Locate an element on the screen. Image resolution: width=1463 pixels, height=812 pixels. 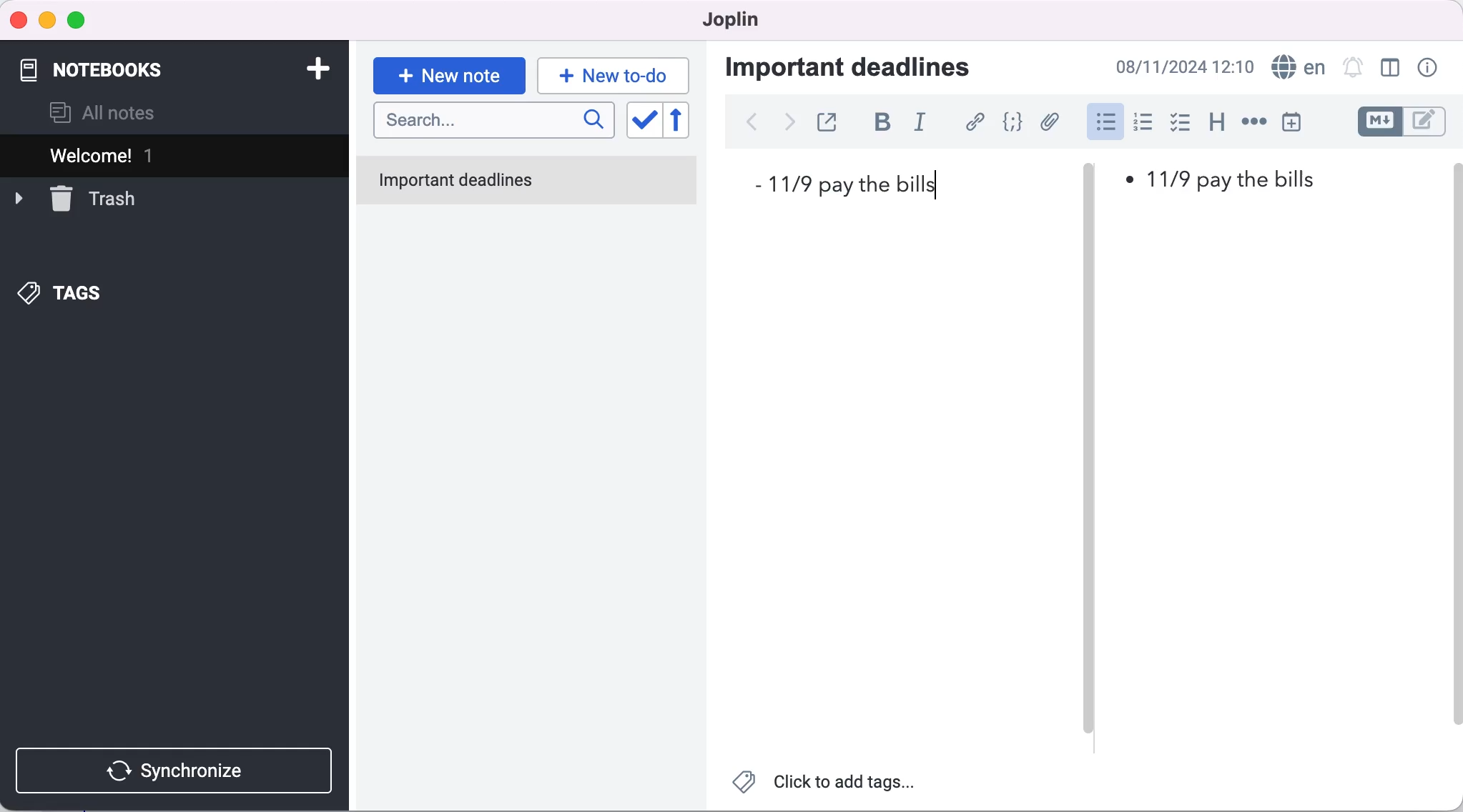
joplin is located at coordinates (735, 21).